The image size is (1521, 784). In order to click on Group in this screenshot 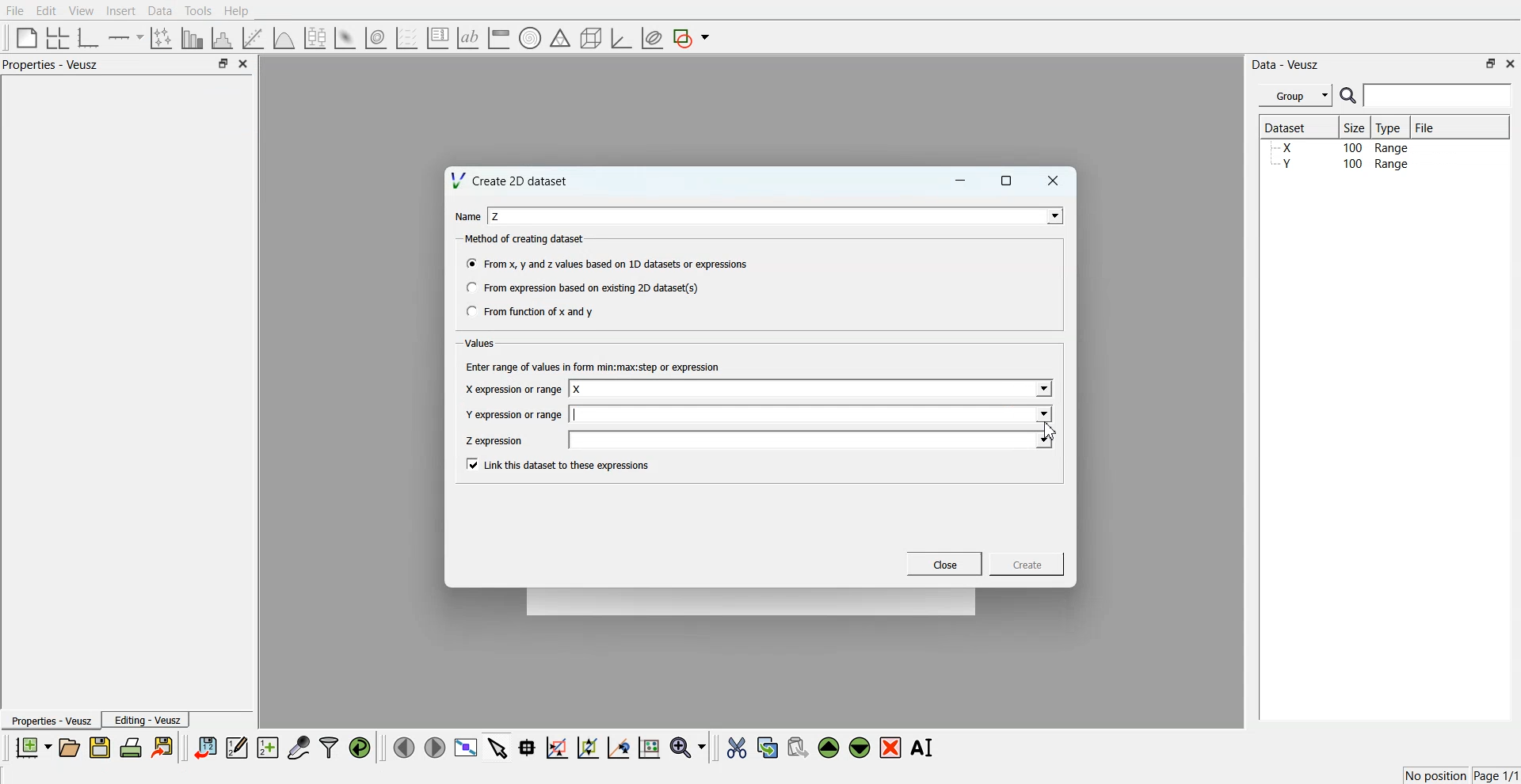, I will do `click(1296, 96)`.